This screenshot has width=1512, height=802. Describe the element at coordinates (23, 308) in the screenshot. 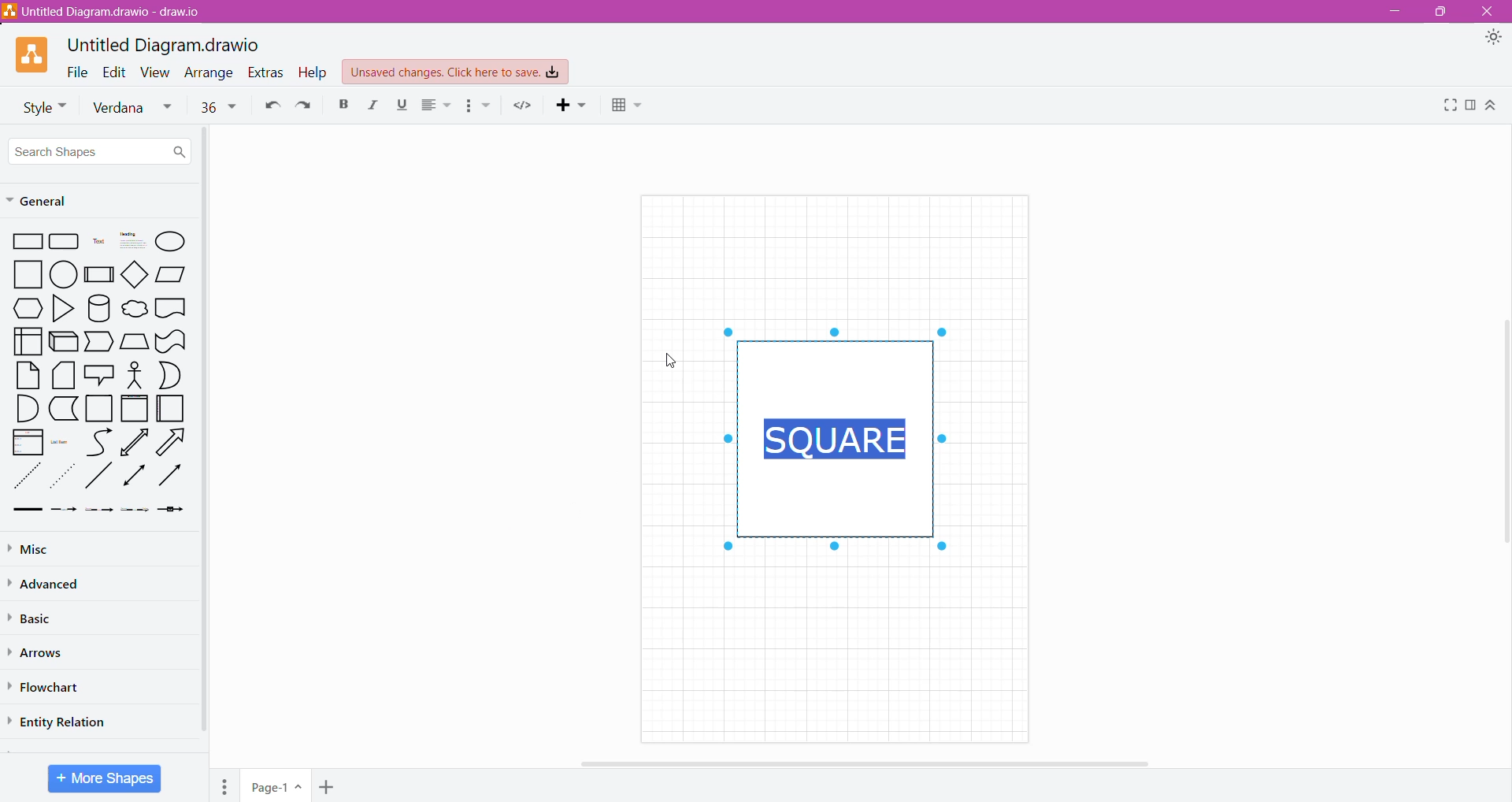

I see `Preparation` at that location.